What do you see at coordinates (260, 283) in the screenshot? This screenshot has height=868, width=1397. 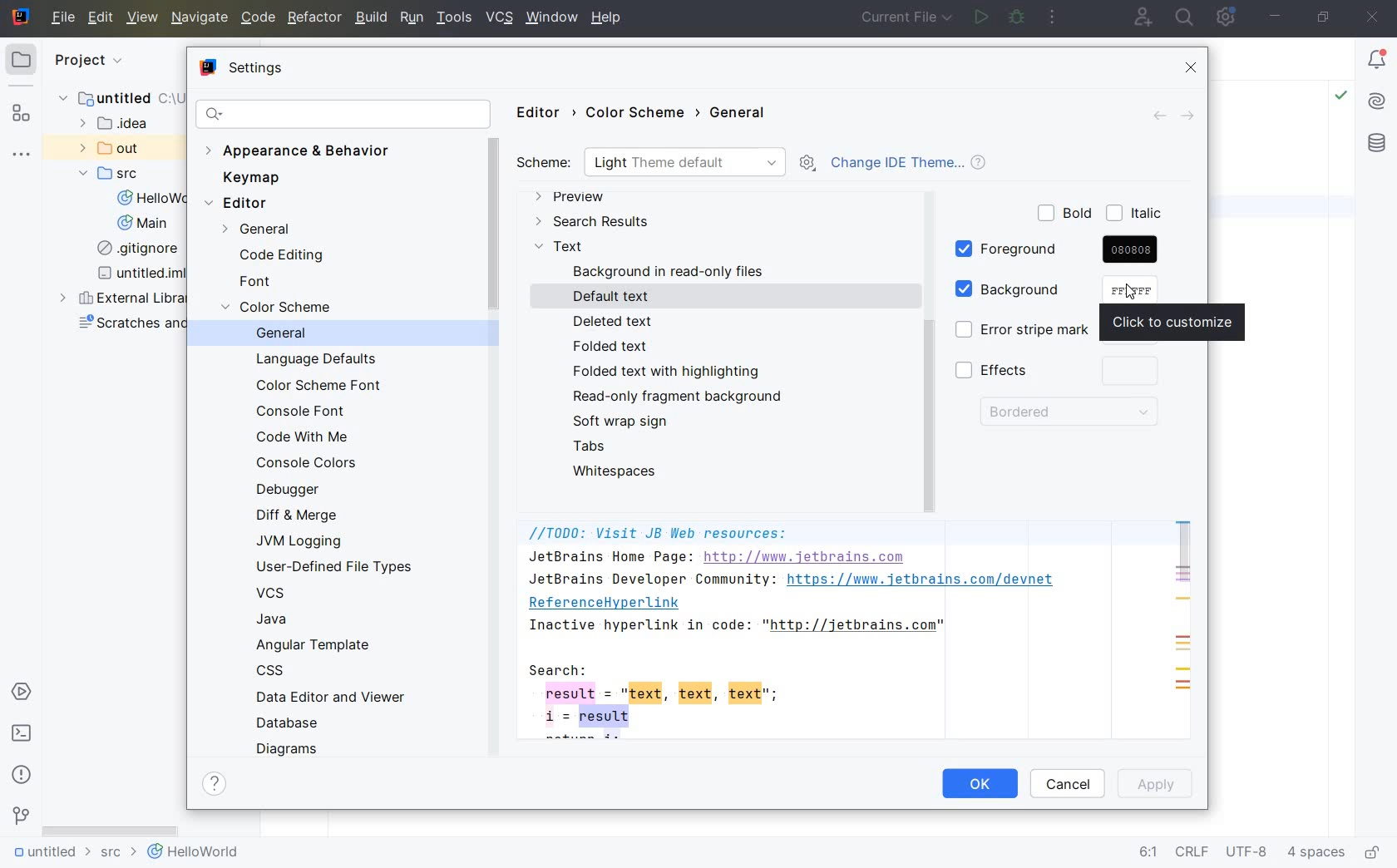 I see `FONT` at bounding box center [260, 283].